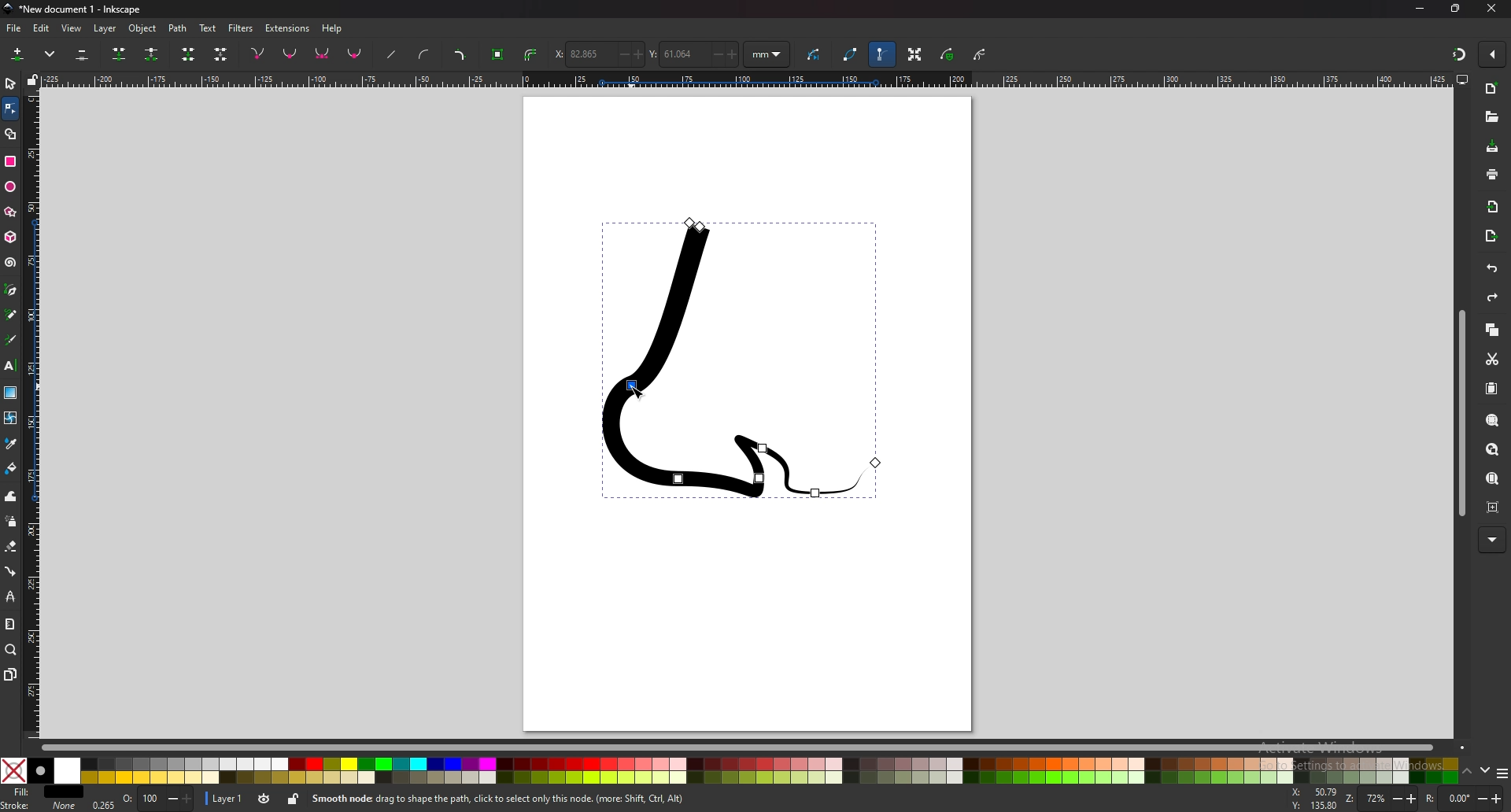 The image size is (1511, 812). What do you see at coordinates (1491, 119) in the screenshot?
I see `open` at bounding box center [1491, 119].